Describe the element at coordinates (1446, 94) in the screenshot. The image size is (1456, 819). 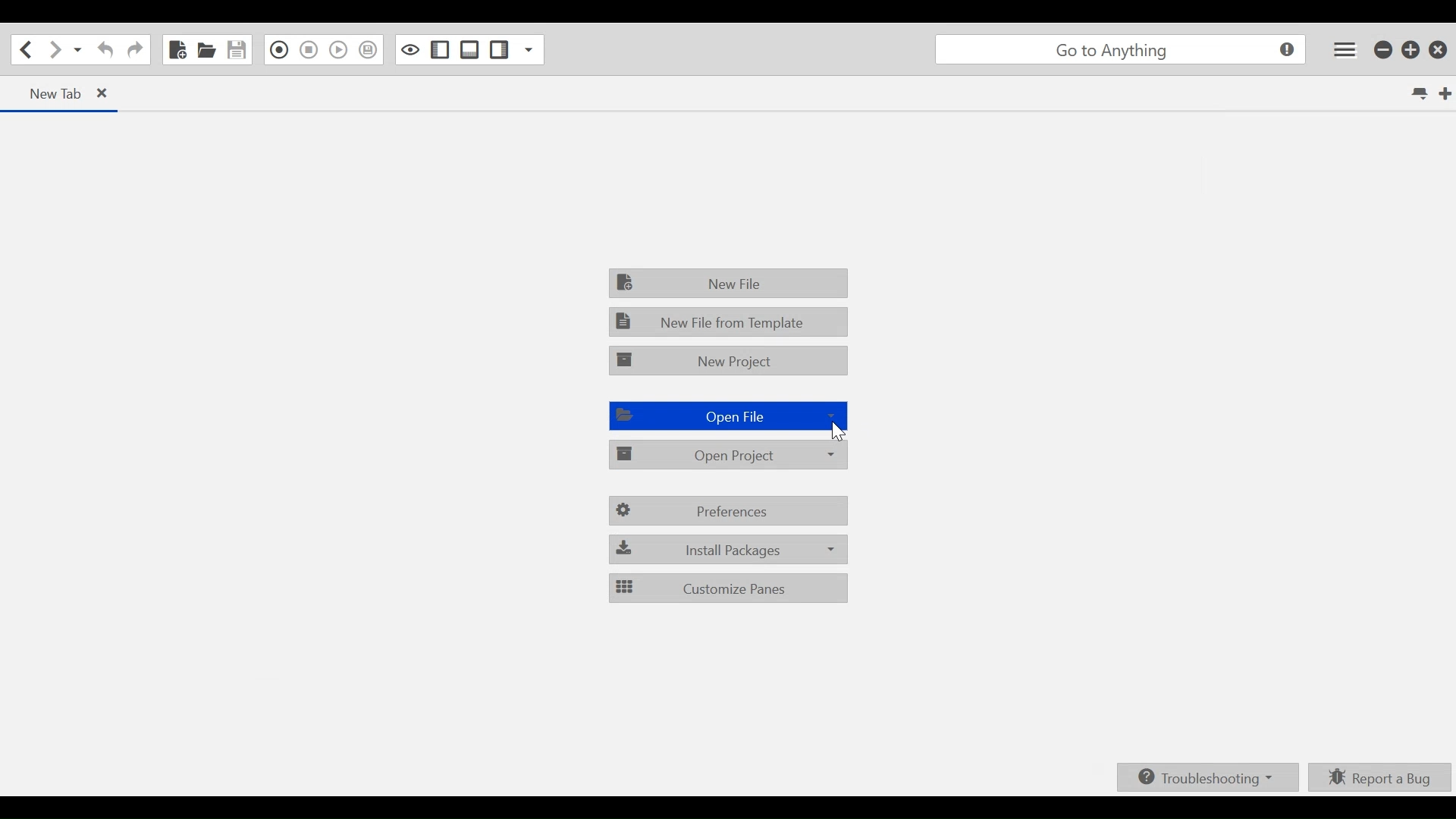
I see `New Tab` at that location.